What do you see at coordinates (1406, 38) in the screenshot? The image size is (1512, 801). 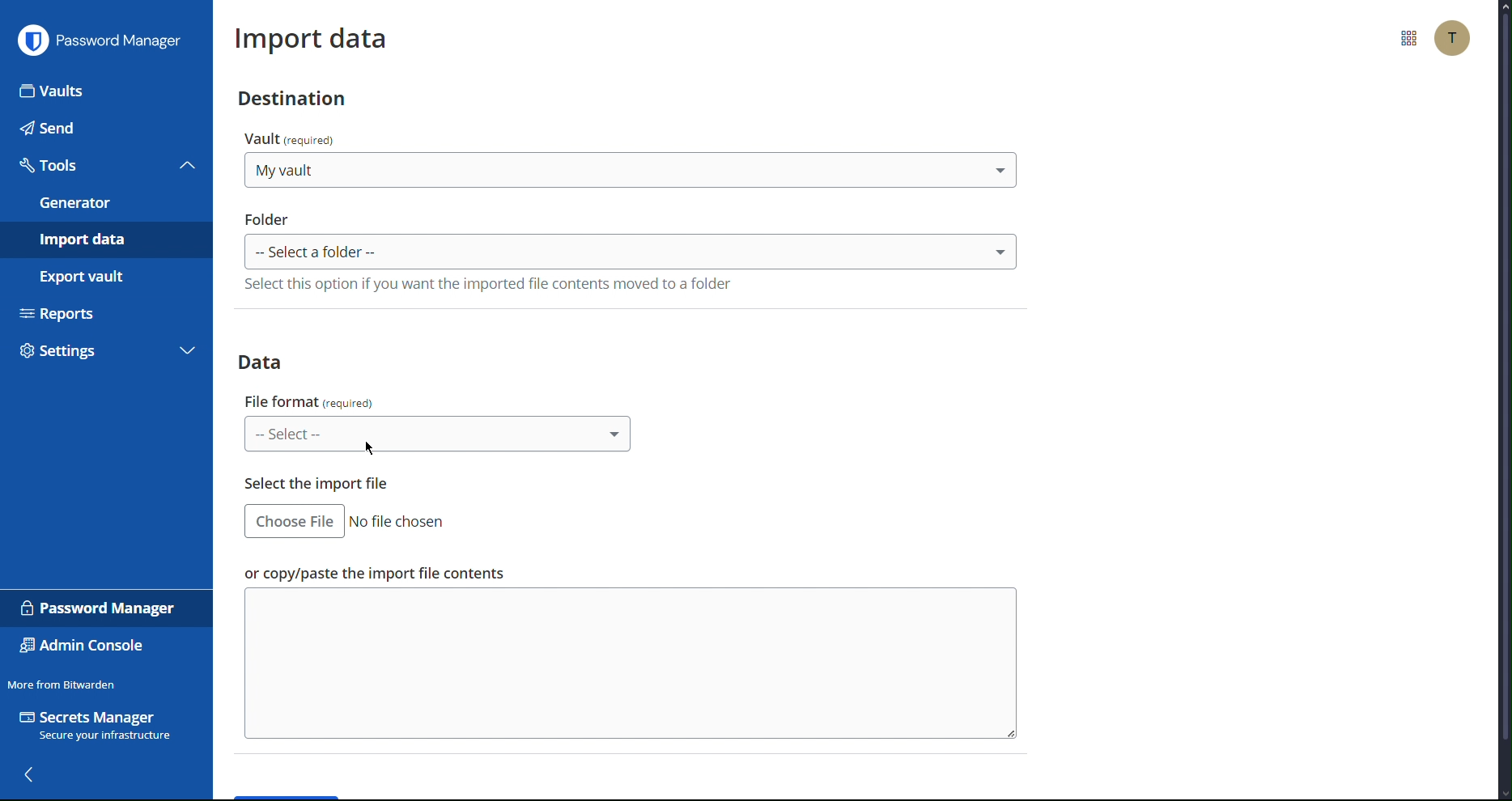 I see `More Options` at bounding box center [1406, 38].